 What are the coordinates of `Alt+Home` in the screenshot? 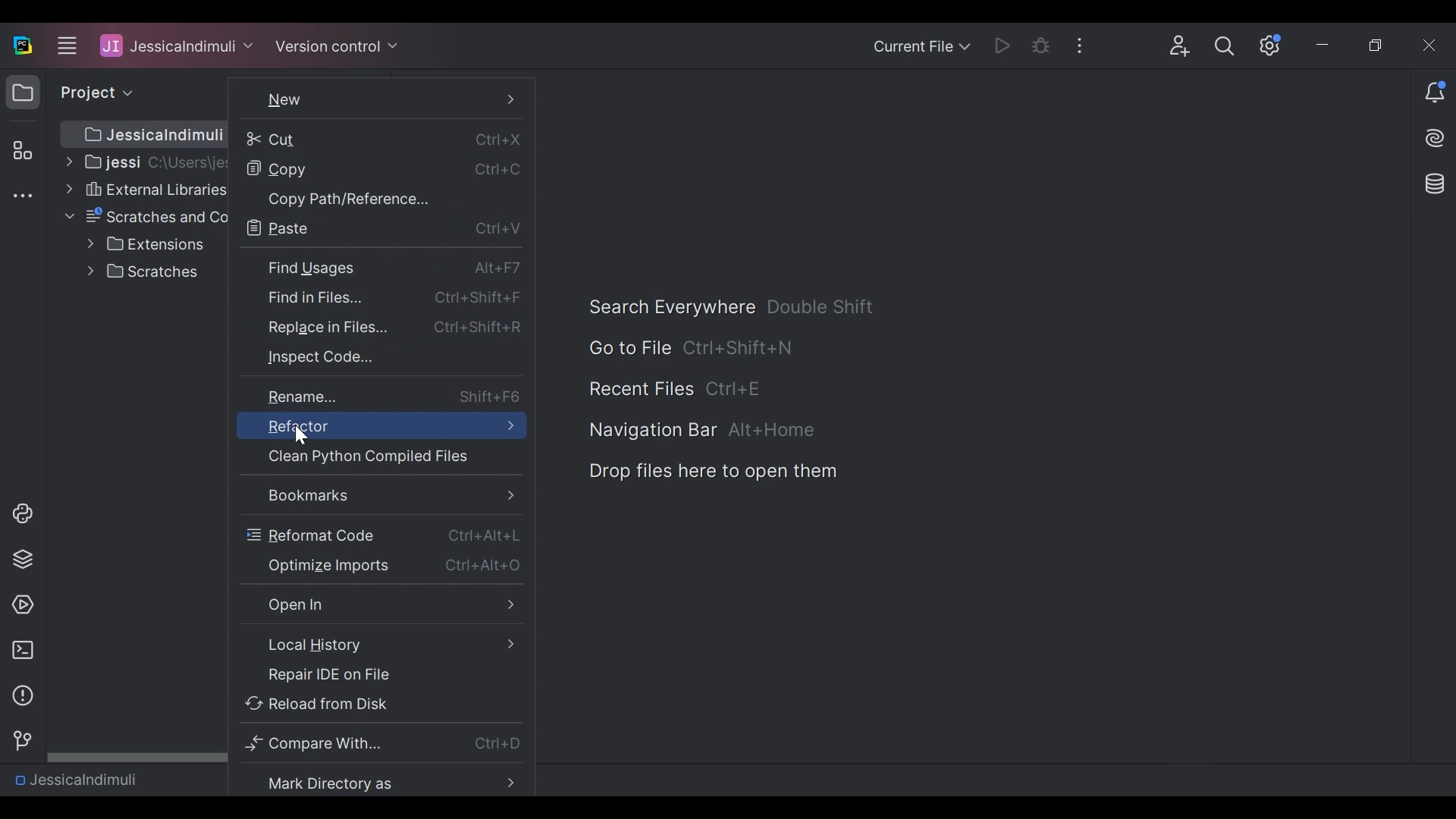 It's located at (773, 431).